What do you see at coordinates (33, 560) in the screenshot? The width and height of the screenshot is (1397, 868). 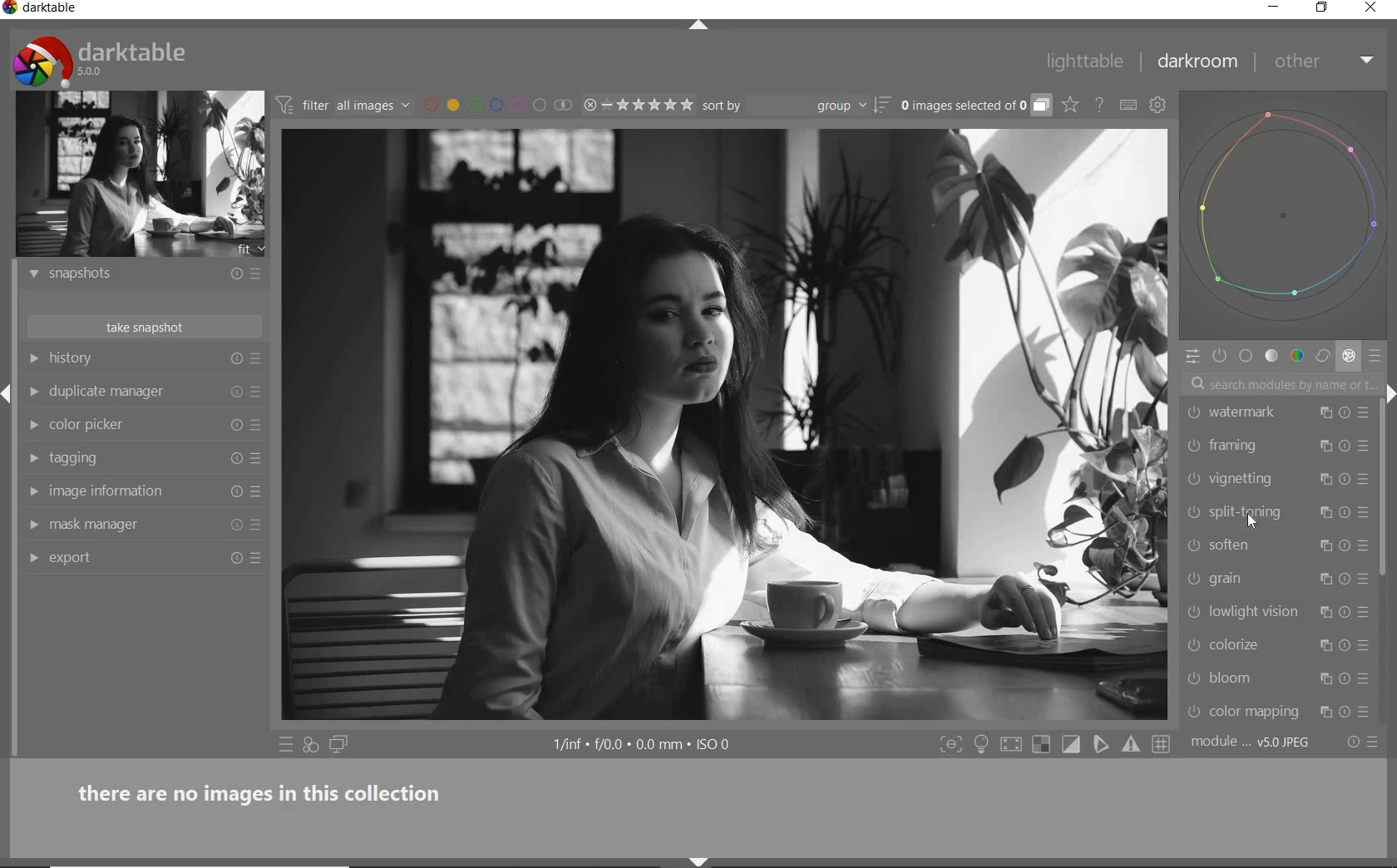 I see `show module` at bounding box center [33, 560].